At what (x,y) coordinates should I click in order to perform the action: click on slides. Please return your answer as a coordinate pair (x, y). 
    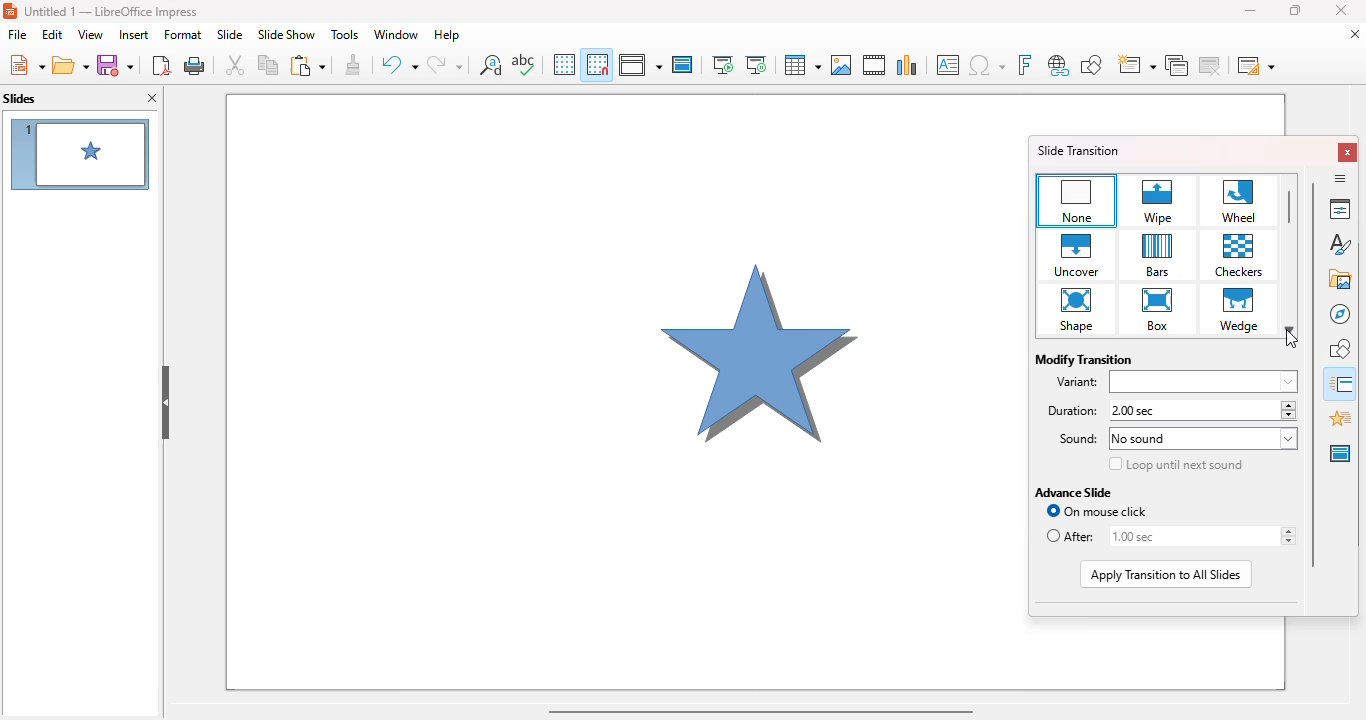
    Looking at the image, I should click on (20, 98).